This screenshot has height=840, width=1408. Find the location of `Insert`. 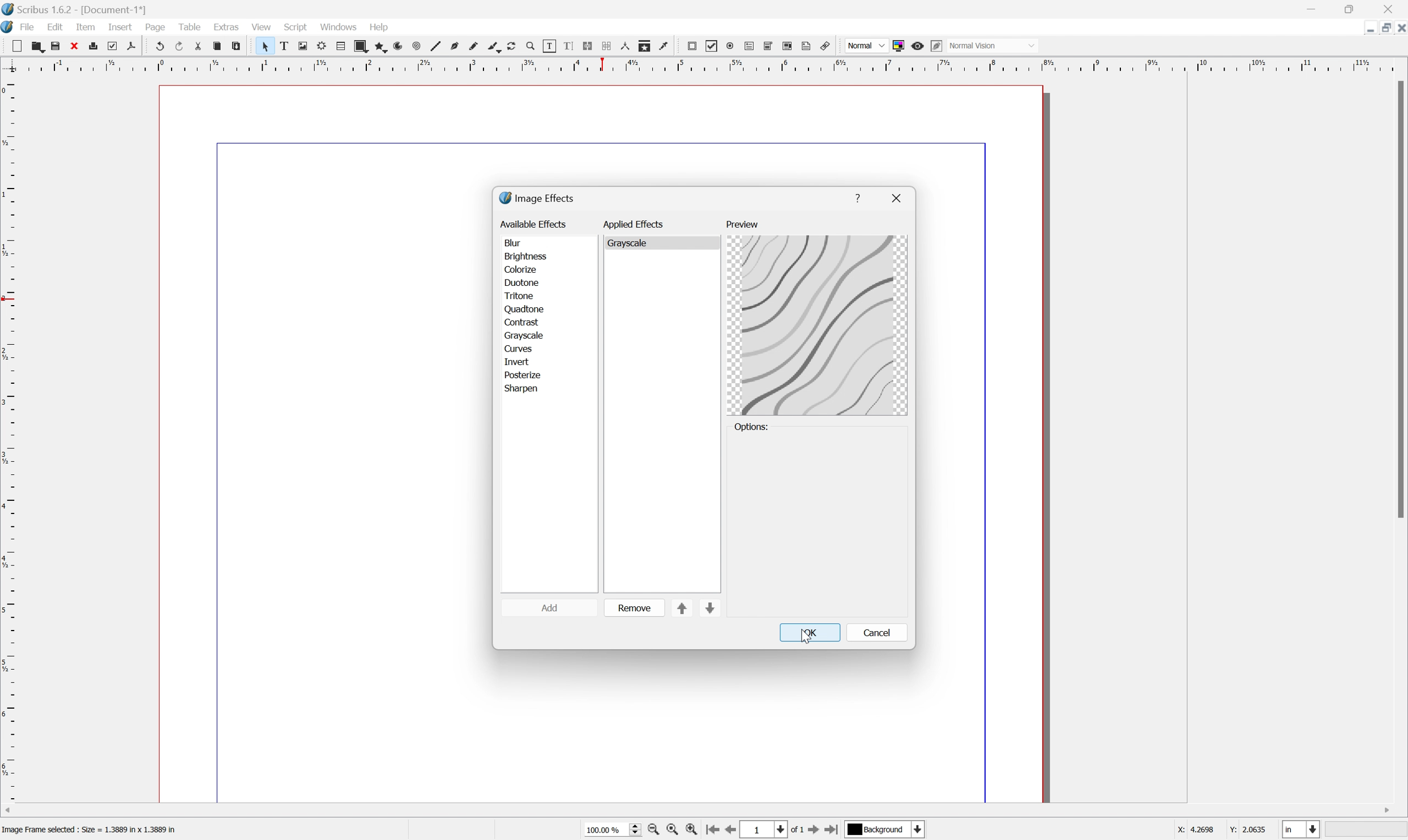

Insert is located at coordinates (119, 27).